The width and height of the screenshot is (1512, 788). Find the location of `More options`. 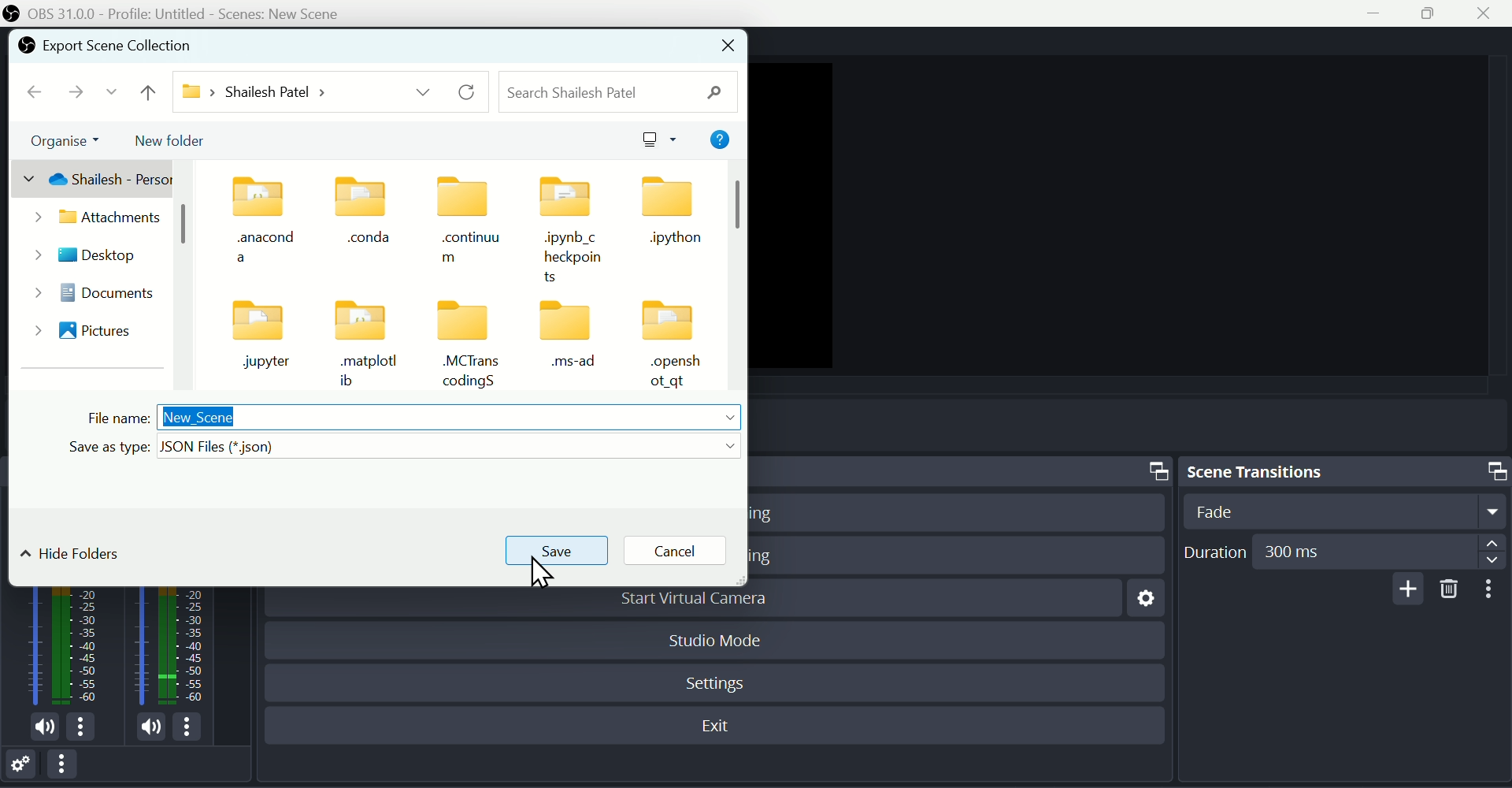

More options is located at coordinates (1492, 589).